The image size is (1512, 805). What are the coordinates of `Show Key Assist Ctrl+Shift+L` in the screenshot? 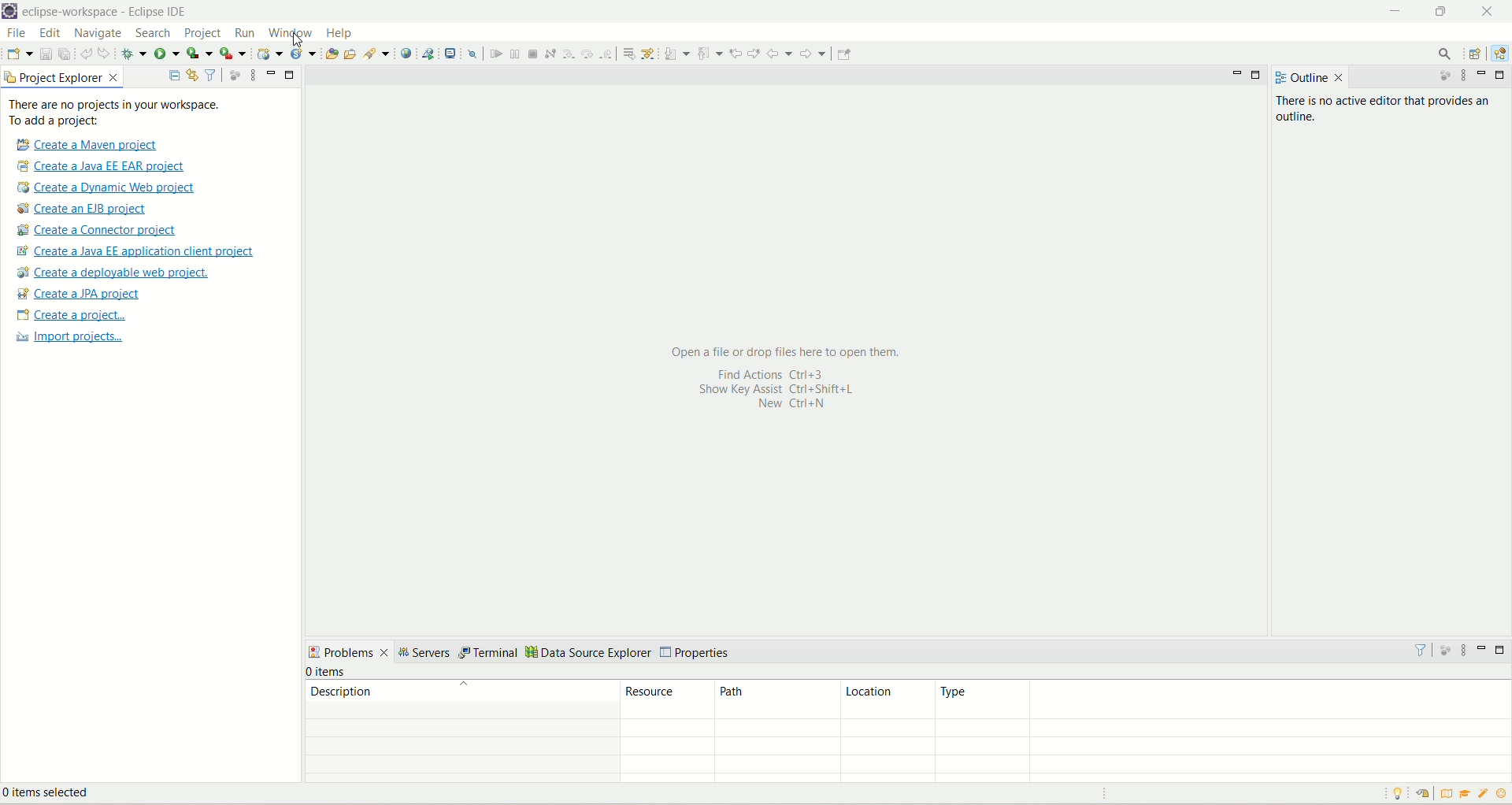 It's located at (793, 390).